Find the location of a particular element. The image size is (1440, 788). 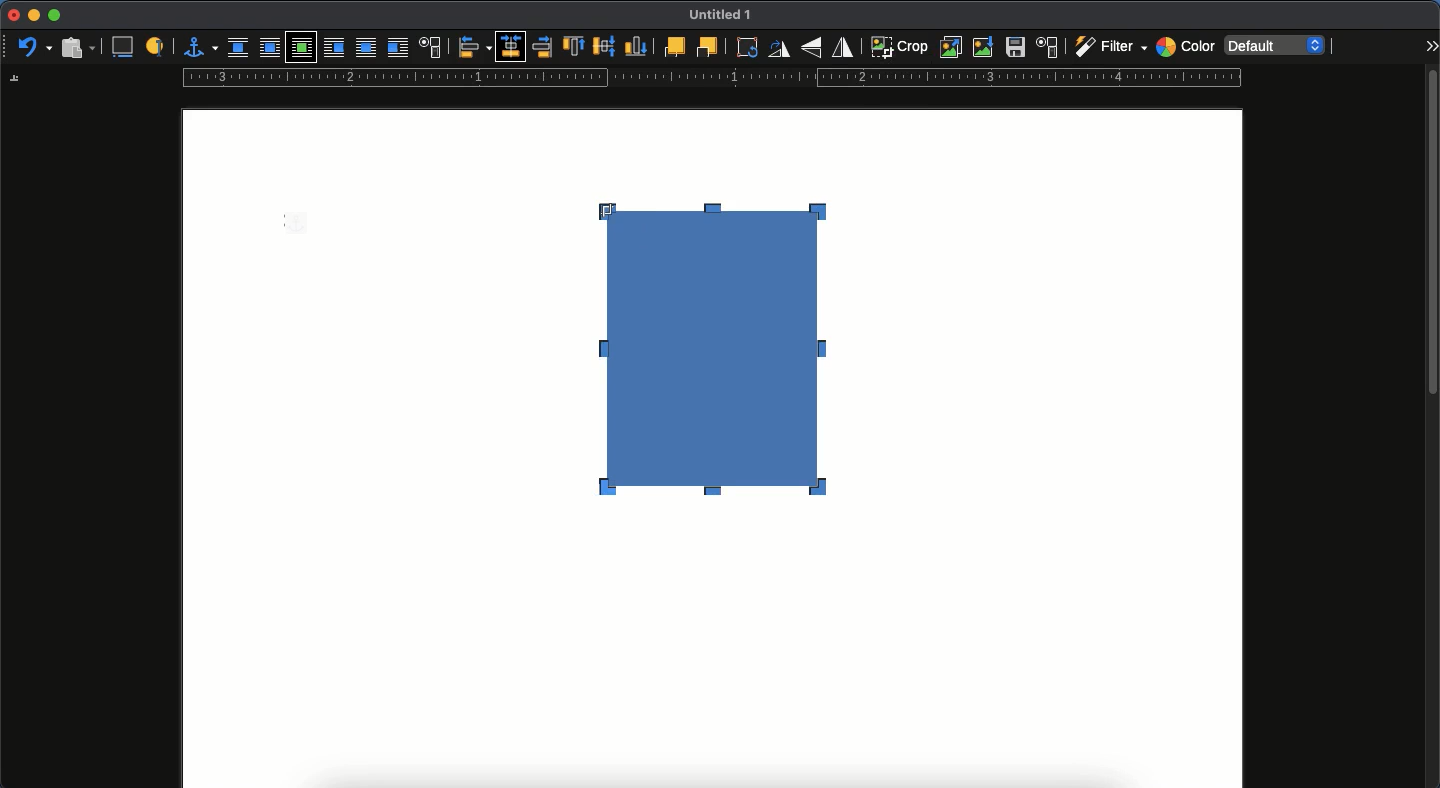

crop is located at coordinates (899, 46).